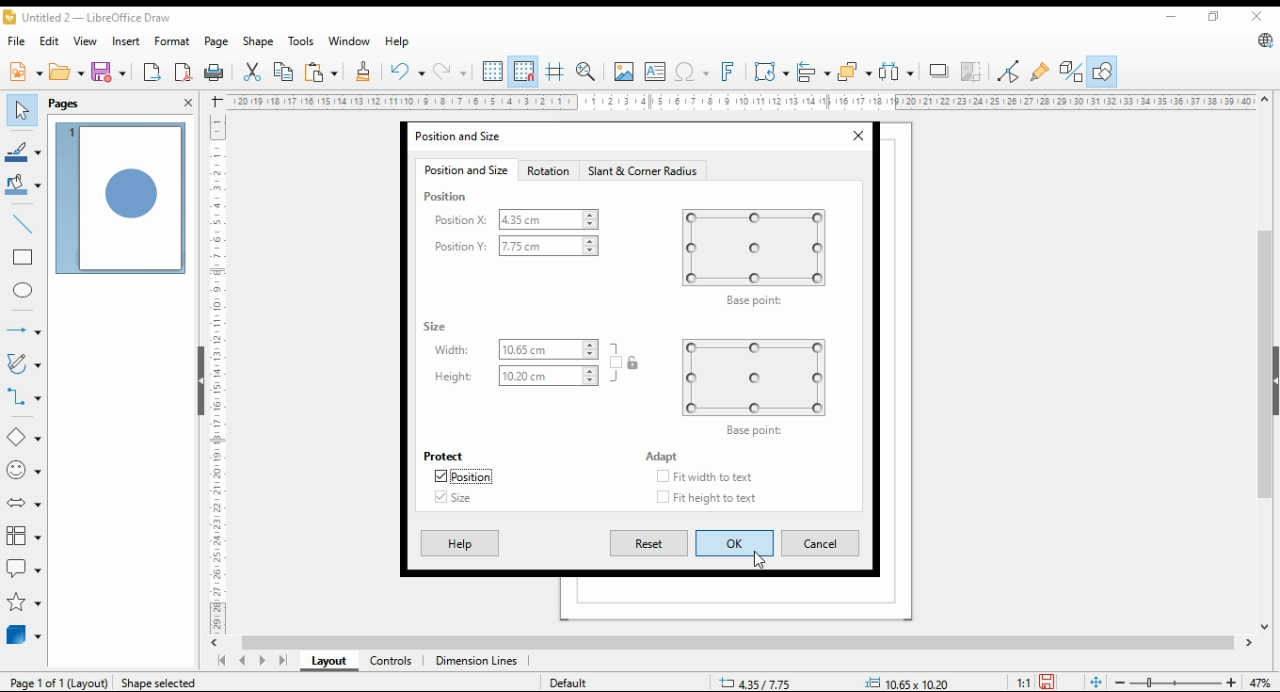  What do you see at coordinates (152, 72) in the screenshot?
I see `export` at bounding box center [152, 72].